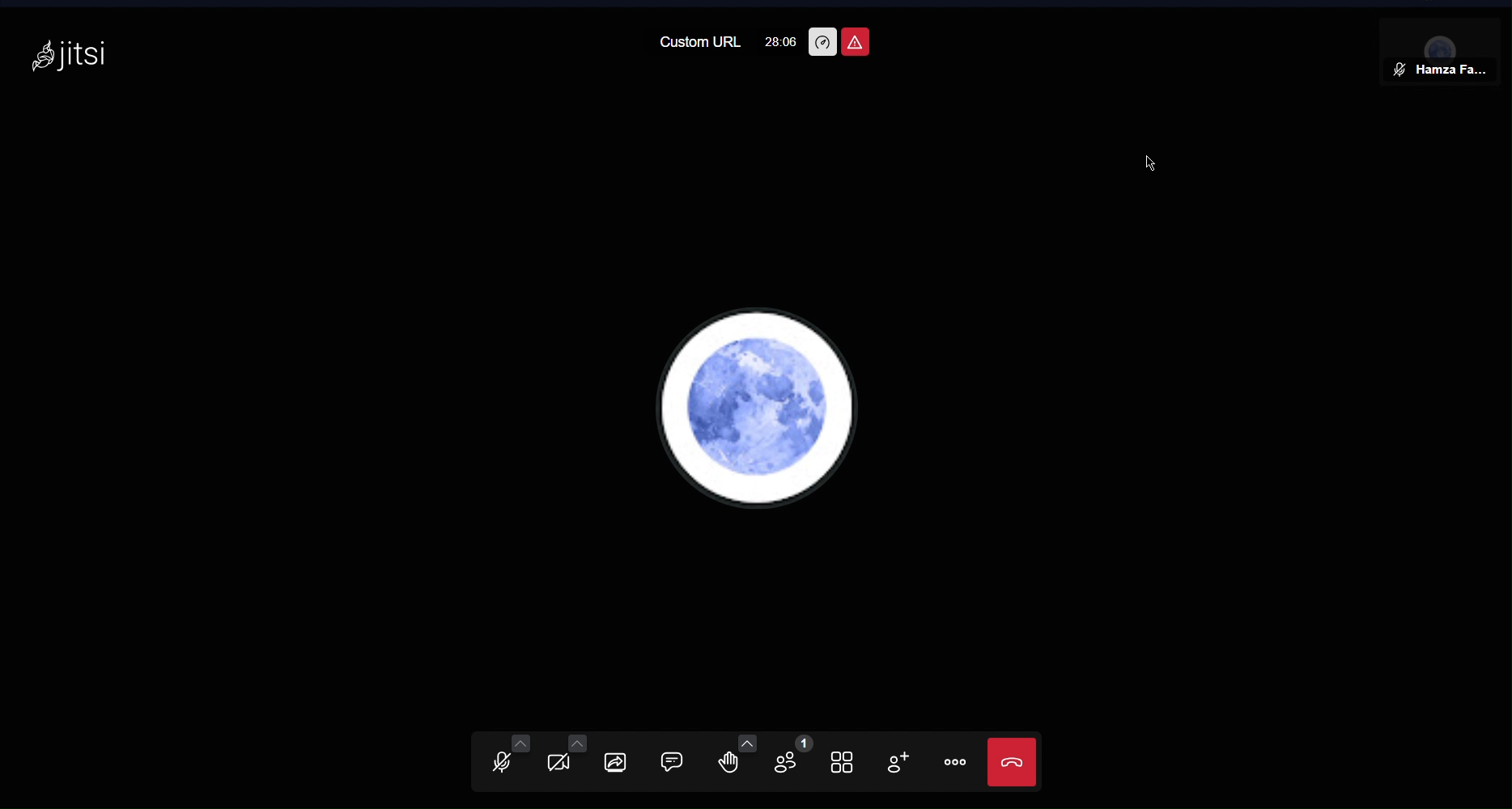 The height and width of the screenshot is (809, 1512). I want to click on Participant View, so click(1444, 54).